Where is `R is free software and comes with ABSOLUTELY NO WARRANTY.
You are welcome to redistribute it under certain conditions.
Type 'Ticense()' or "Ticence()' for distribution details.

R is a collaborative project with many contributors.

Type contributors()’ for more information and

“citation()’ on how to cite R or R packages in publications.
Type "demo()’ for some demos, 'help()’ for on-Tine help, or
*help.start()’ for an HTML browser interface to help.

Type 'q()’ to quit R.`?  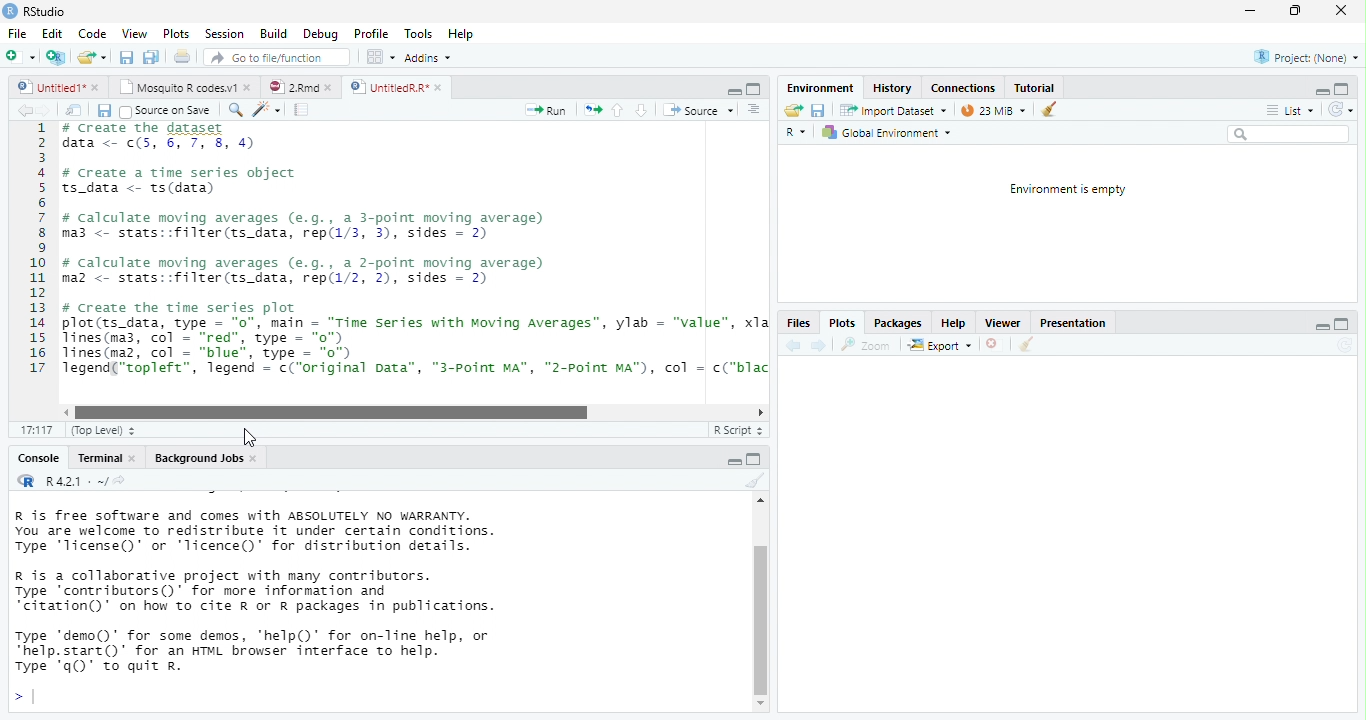 R is free software and comes with ABSOLUTELY NO WARRANTY.
You are welcome to redistribute it under certain conditions.
Type 'Ticense()' or "Ticence()' for distribution details.

R is a collaborative project with many contributors.

Type contributors()’ for more information and

“citation()’ on how to cite R or R packages in publications.
Type "demo()’ for some demos, 'help()’ for on-Tine help, or
*help.start()’ for an HTML browser interface to help.

Type 'q()’ to quit R. is located at coordinates (340, 591).